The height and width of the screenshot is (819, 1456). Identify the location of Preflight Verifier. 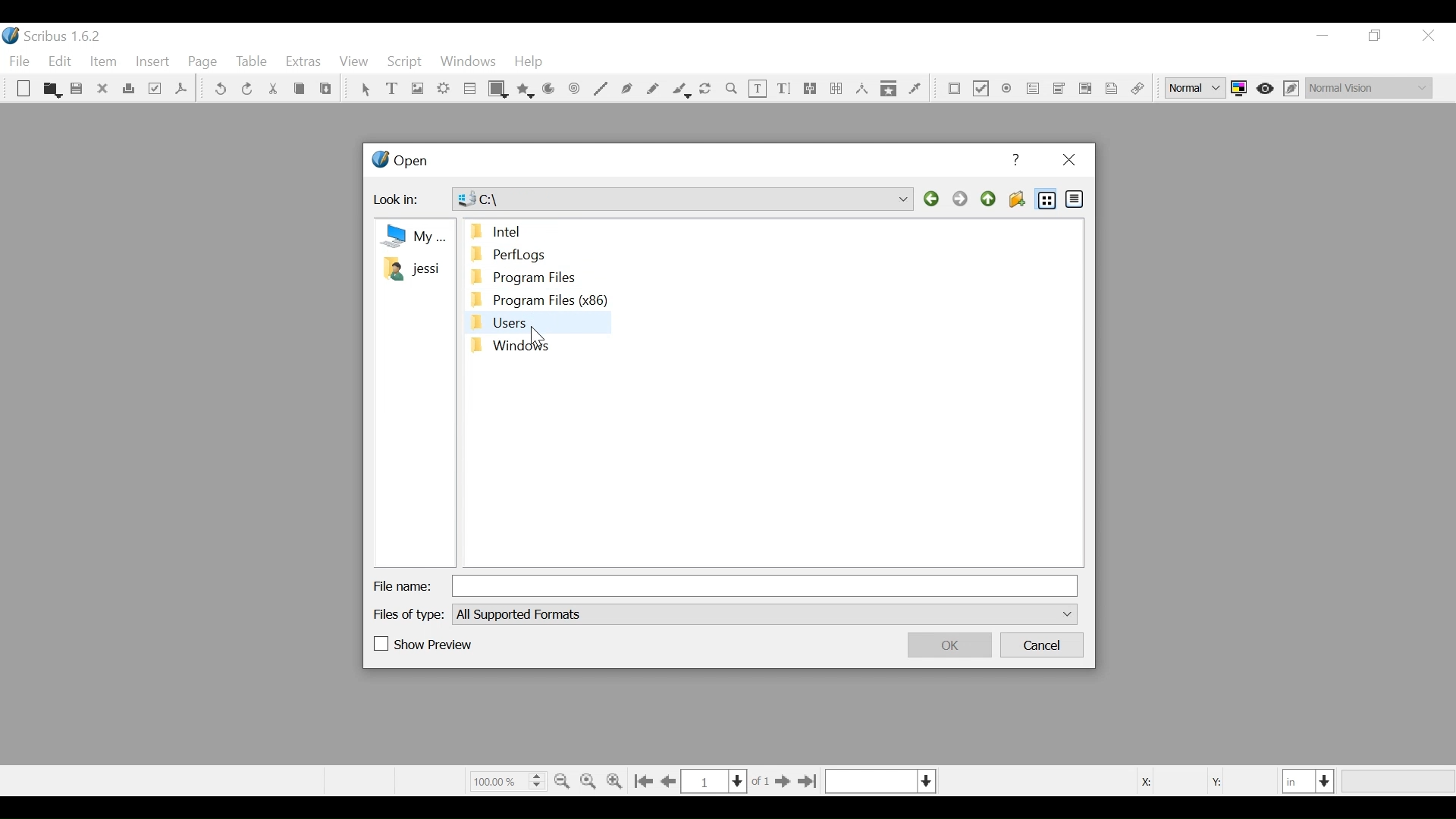
(156, 90).